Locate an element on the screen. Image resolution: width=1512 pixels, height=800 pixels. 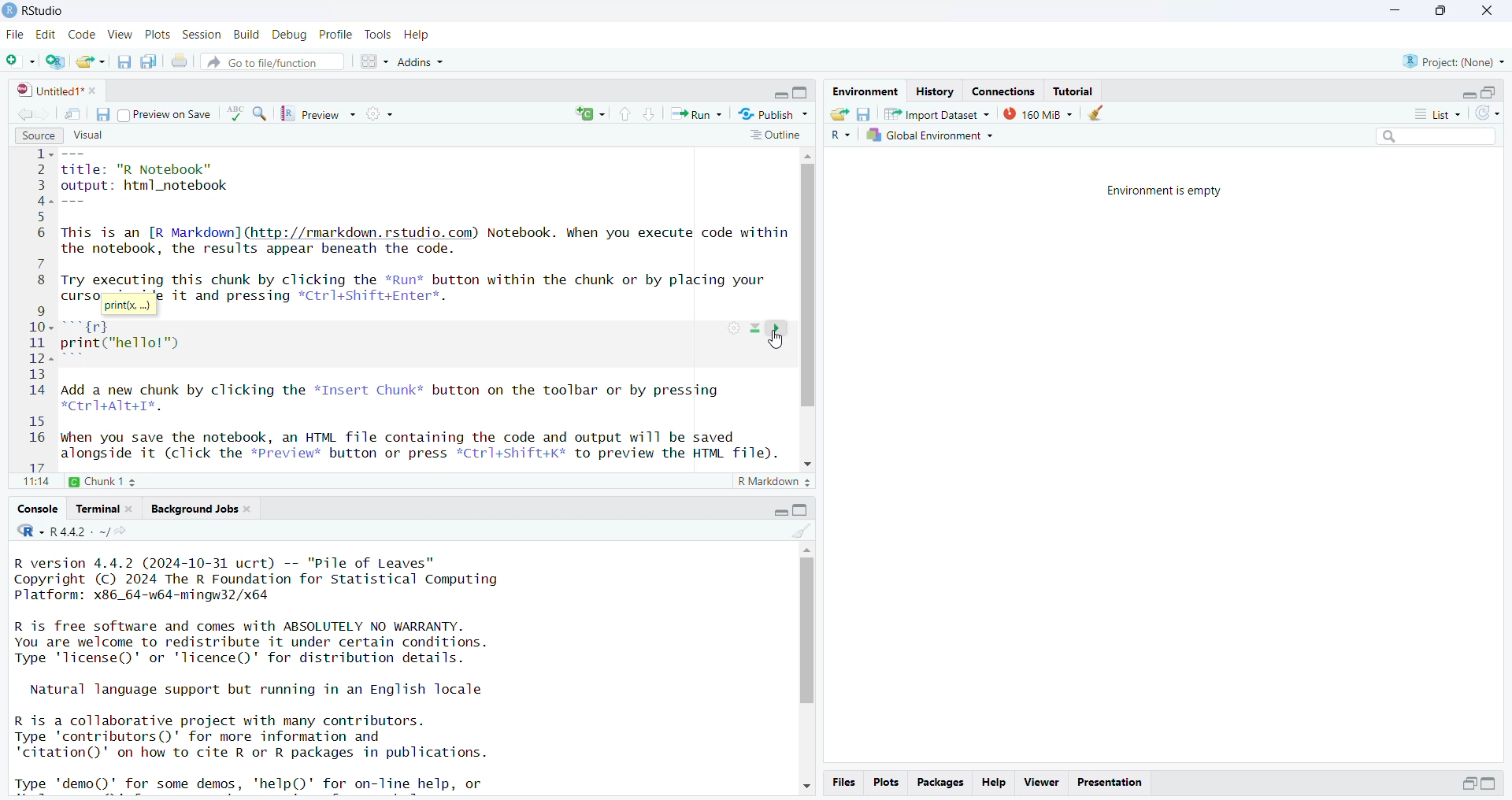
clear console is located at coordinates (802, 529).